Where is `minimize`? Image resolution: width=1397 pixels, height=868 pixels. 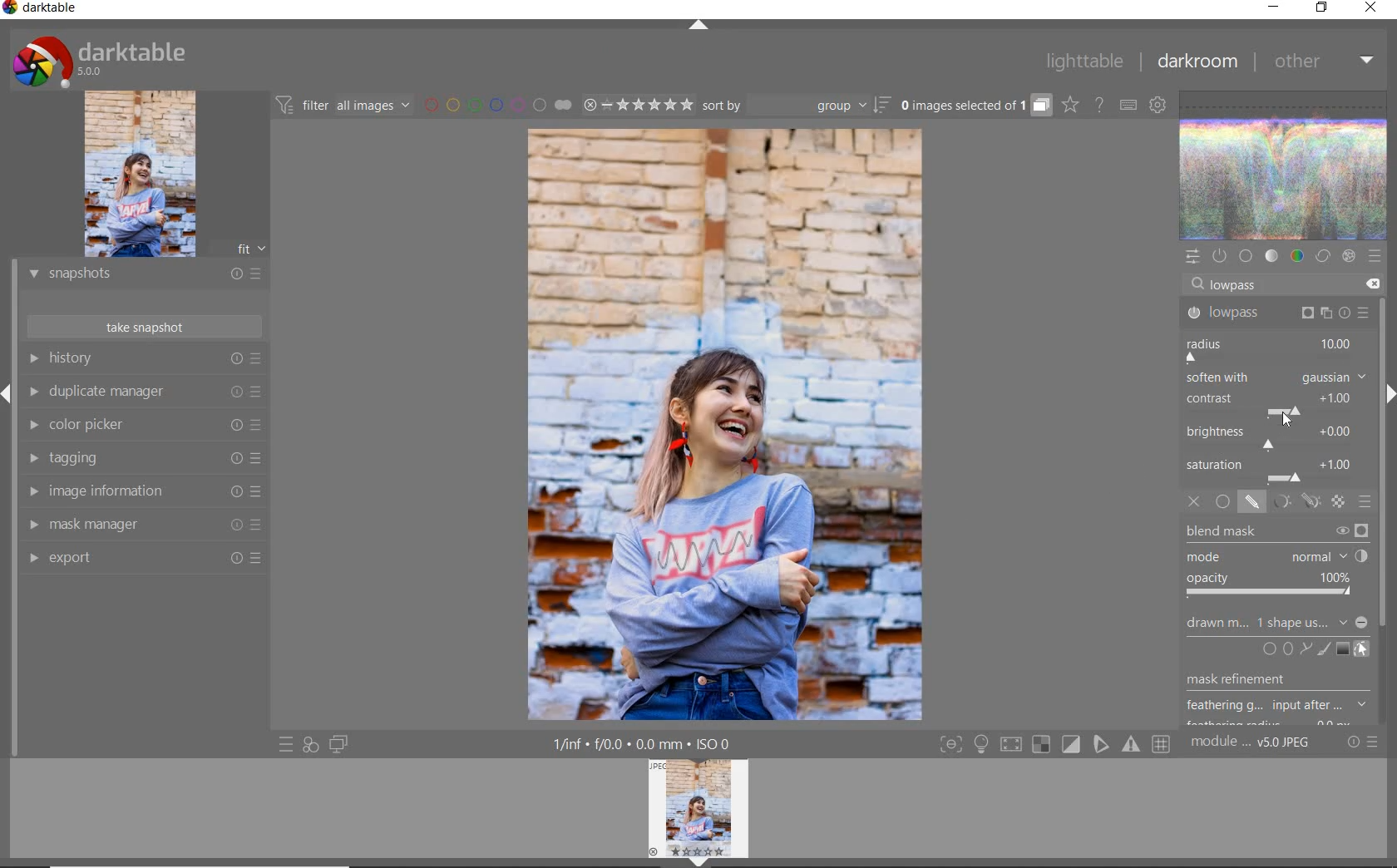 minimize is located at coordinates (1275, 8).